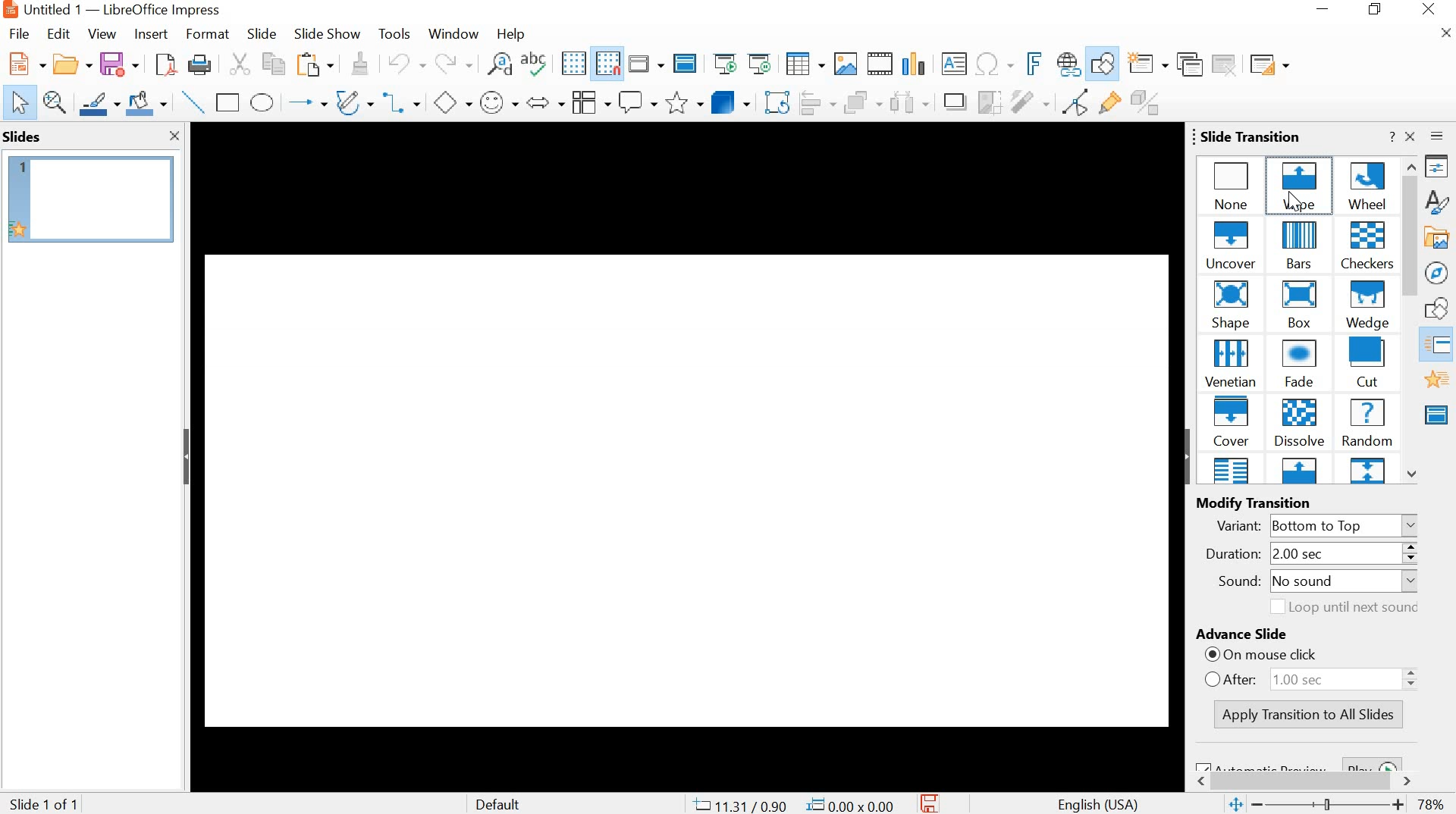  What do you see at coordinates (1438, 202) in the screenshot?
I see `STYLES` at bounding box center [1438, 202].